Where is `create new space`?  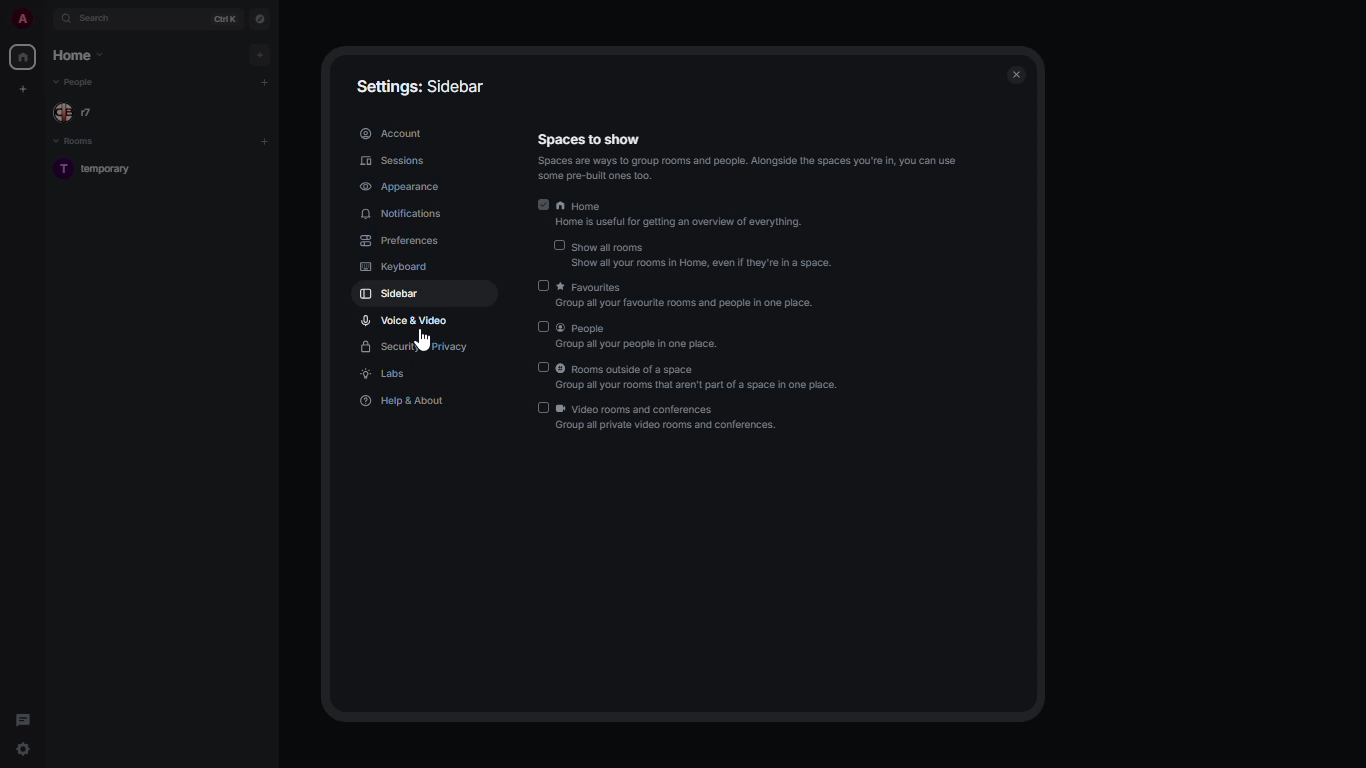
create new space is located at coordinates (24, 88).